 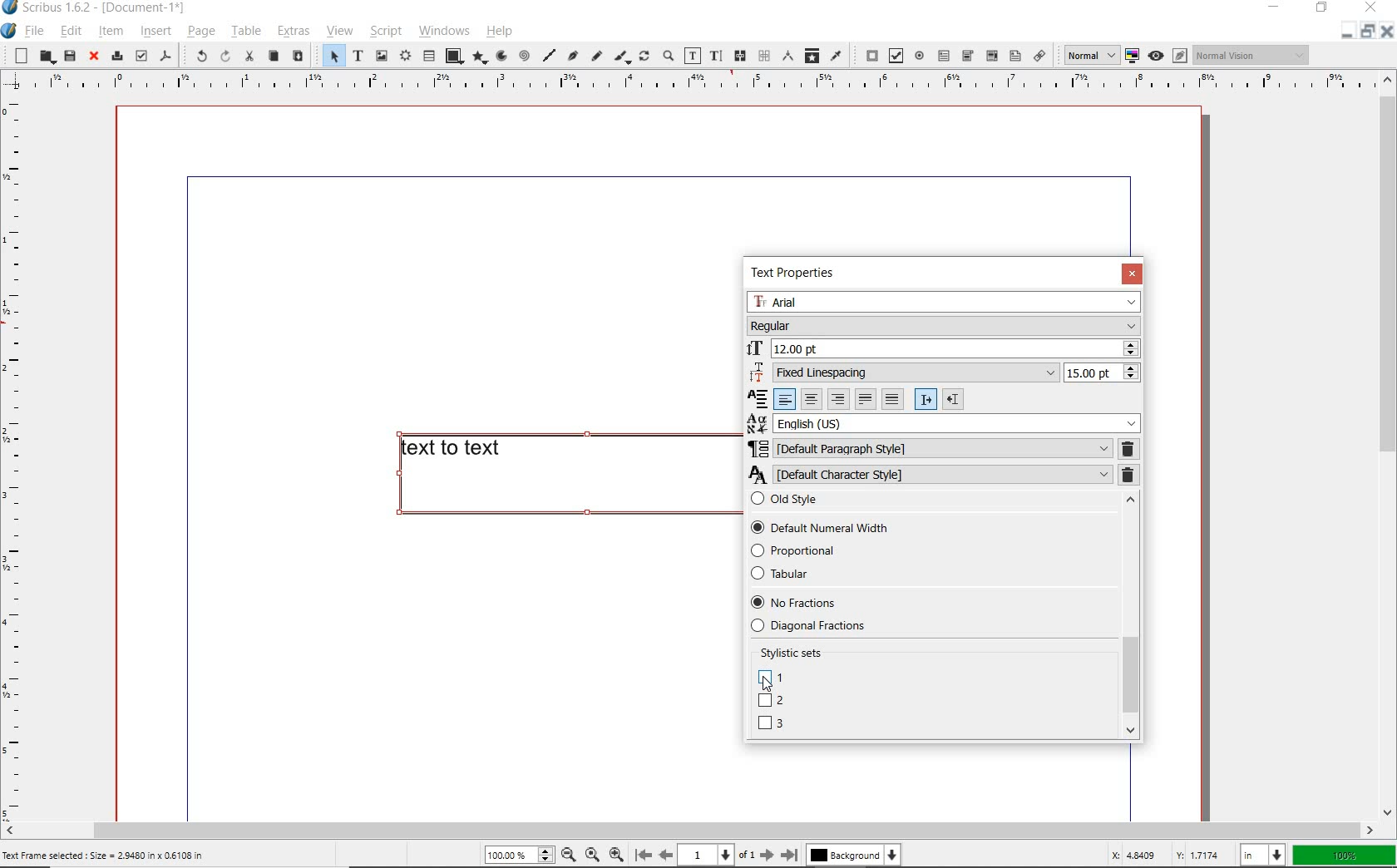 What do you see at coordinates (772, 725) in the screenshot?
I see `LINING` at bounding box center [772, 725].